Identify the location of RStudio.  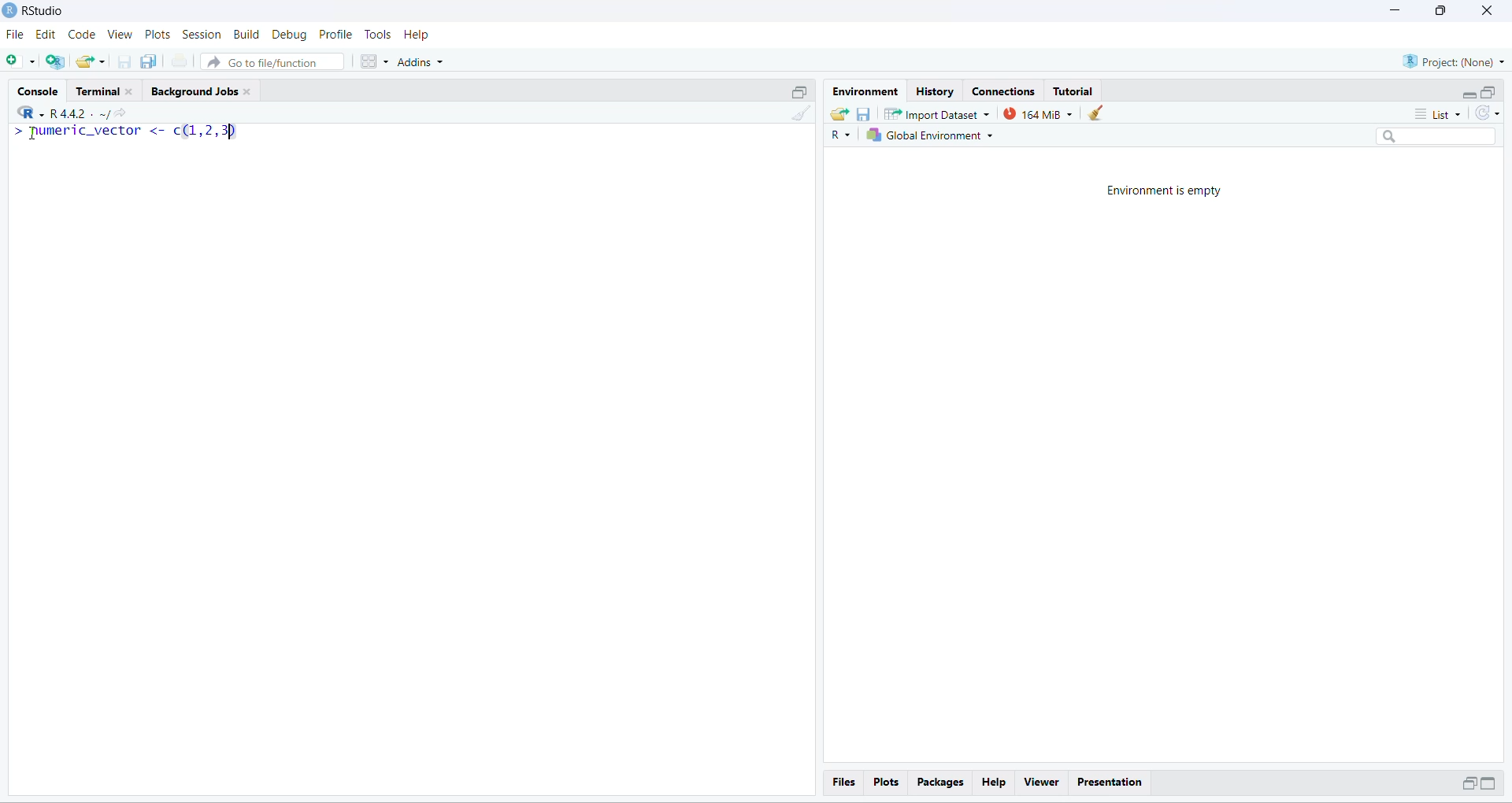
(47, 9).